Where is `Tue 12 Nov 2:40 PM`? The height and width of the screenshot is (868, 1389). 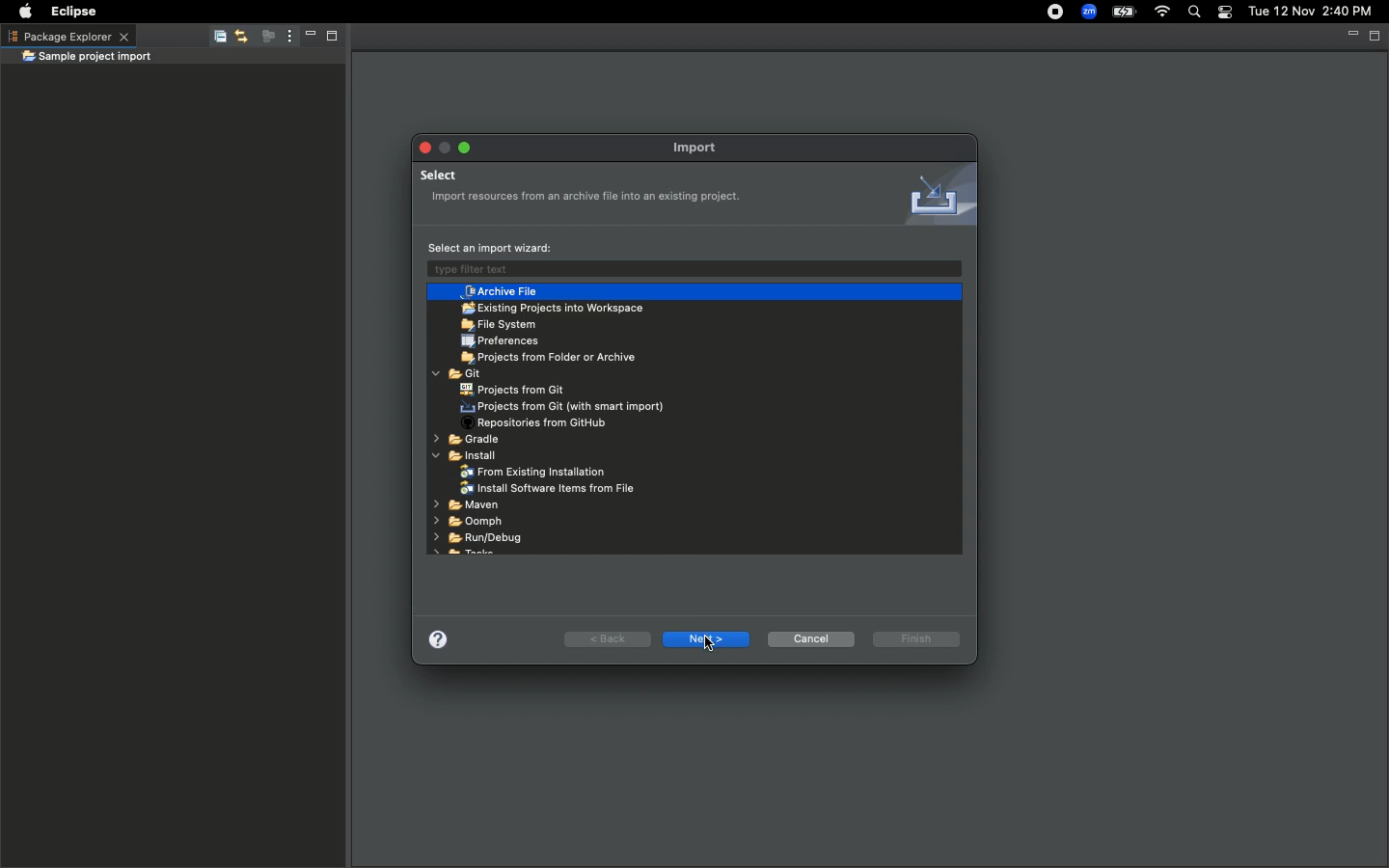
Tue 12 Nov 2:40 PM is located at coordinates (1310, 12).